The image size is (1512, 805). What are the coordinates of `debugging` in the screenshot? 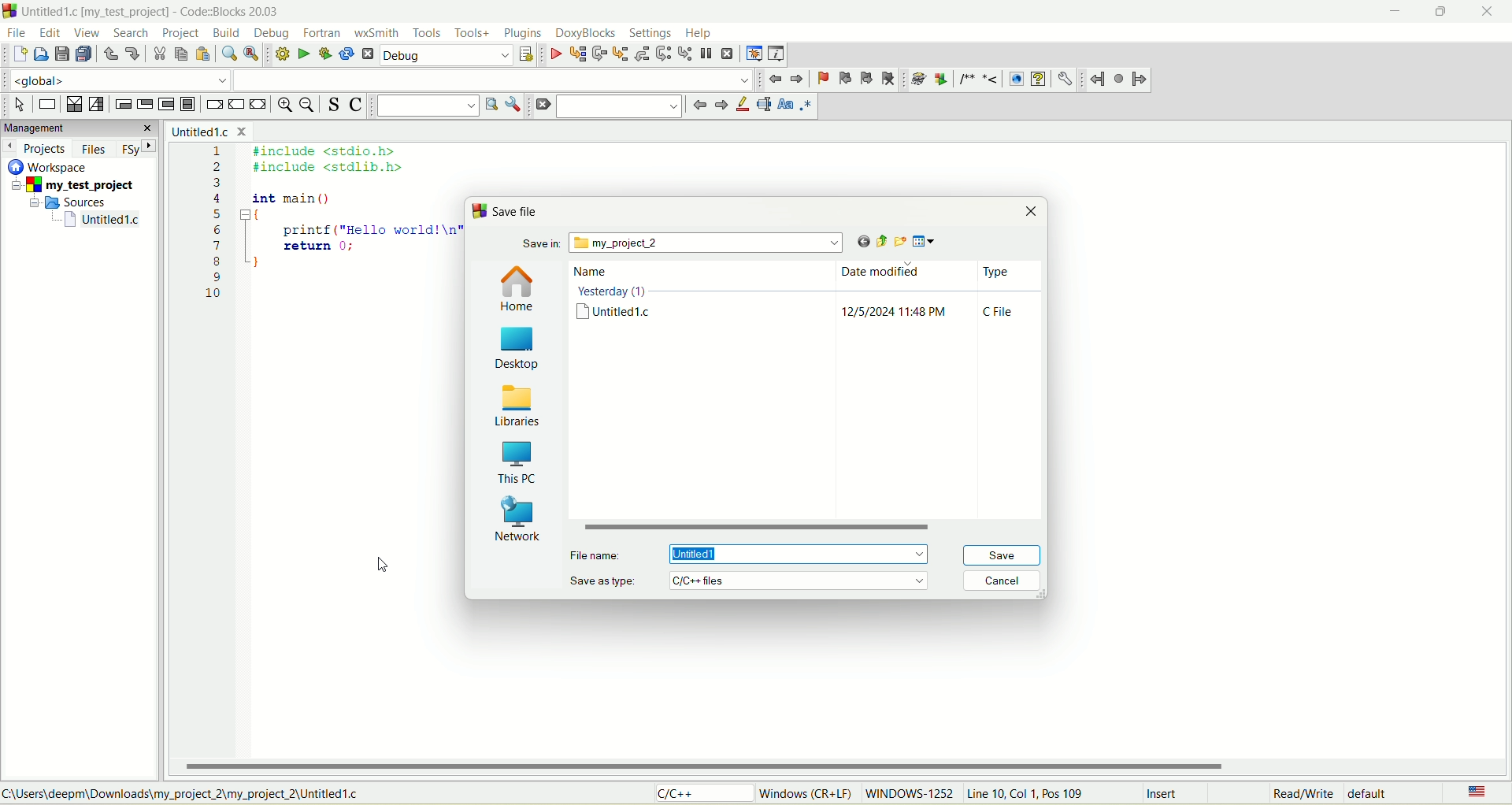 It's located at (754, 54).